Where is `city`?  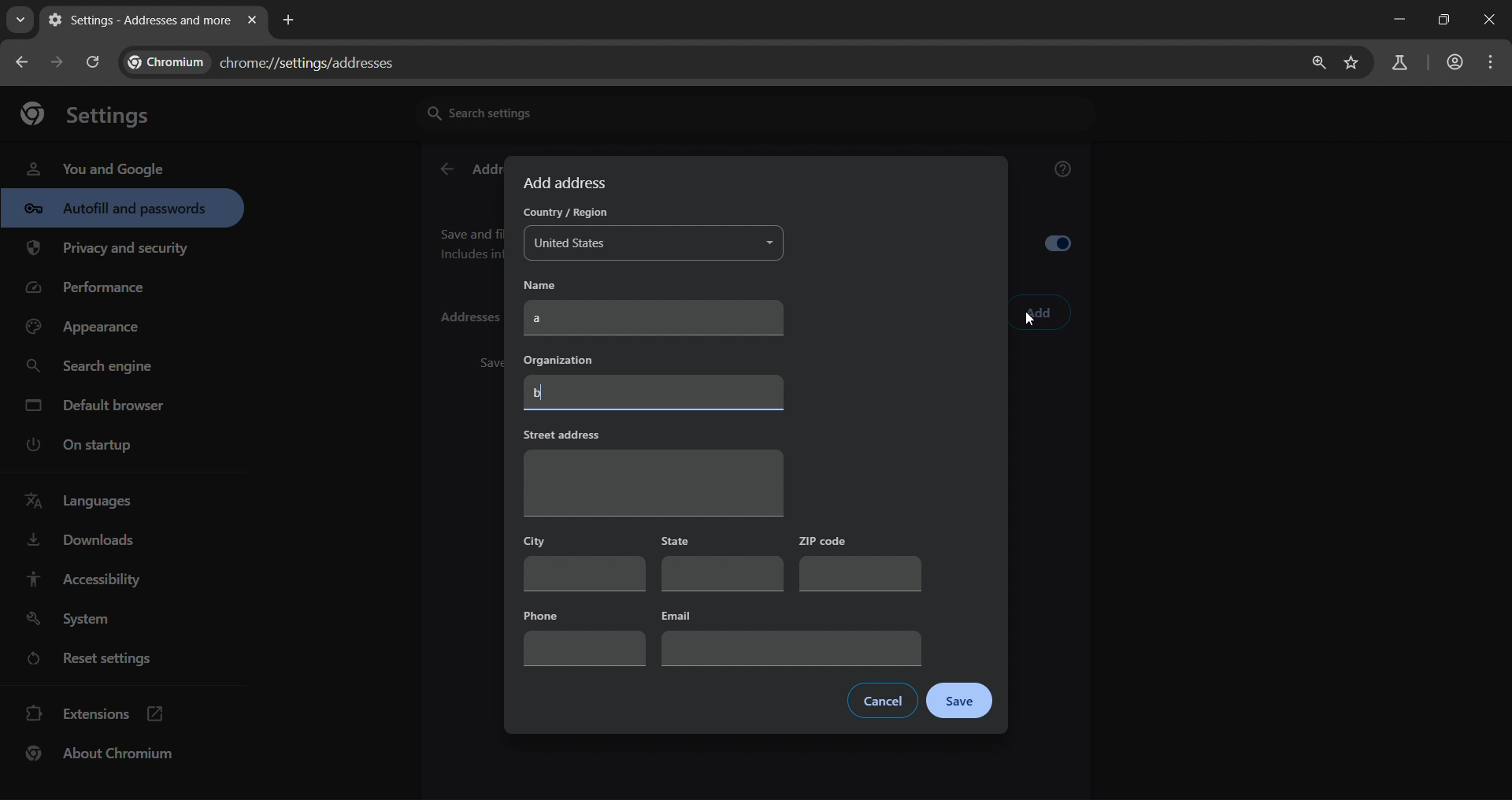
city is located at coordinates (583, 561).